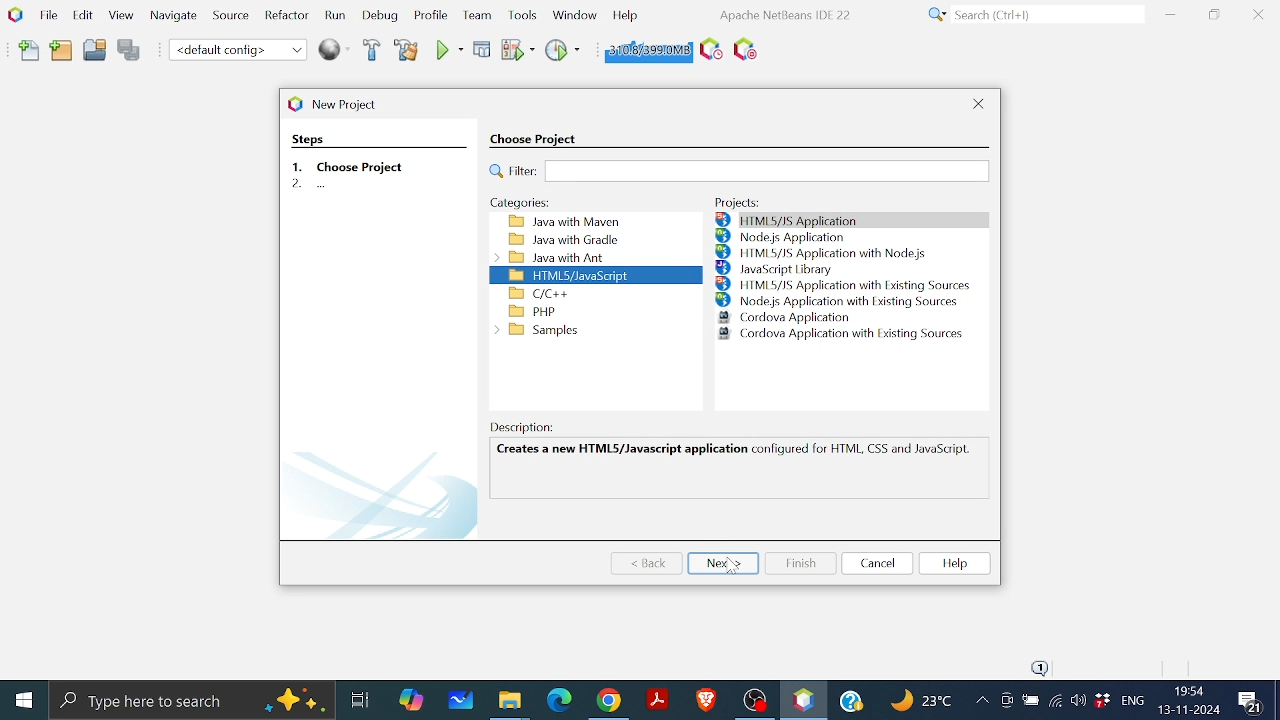 The height and width of the screenshot is (720, 1280). I want to click on Tools, so click(524, 14).